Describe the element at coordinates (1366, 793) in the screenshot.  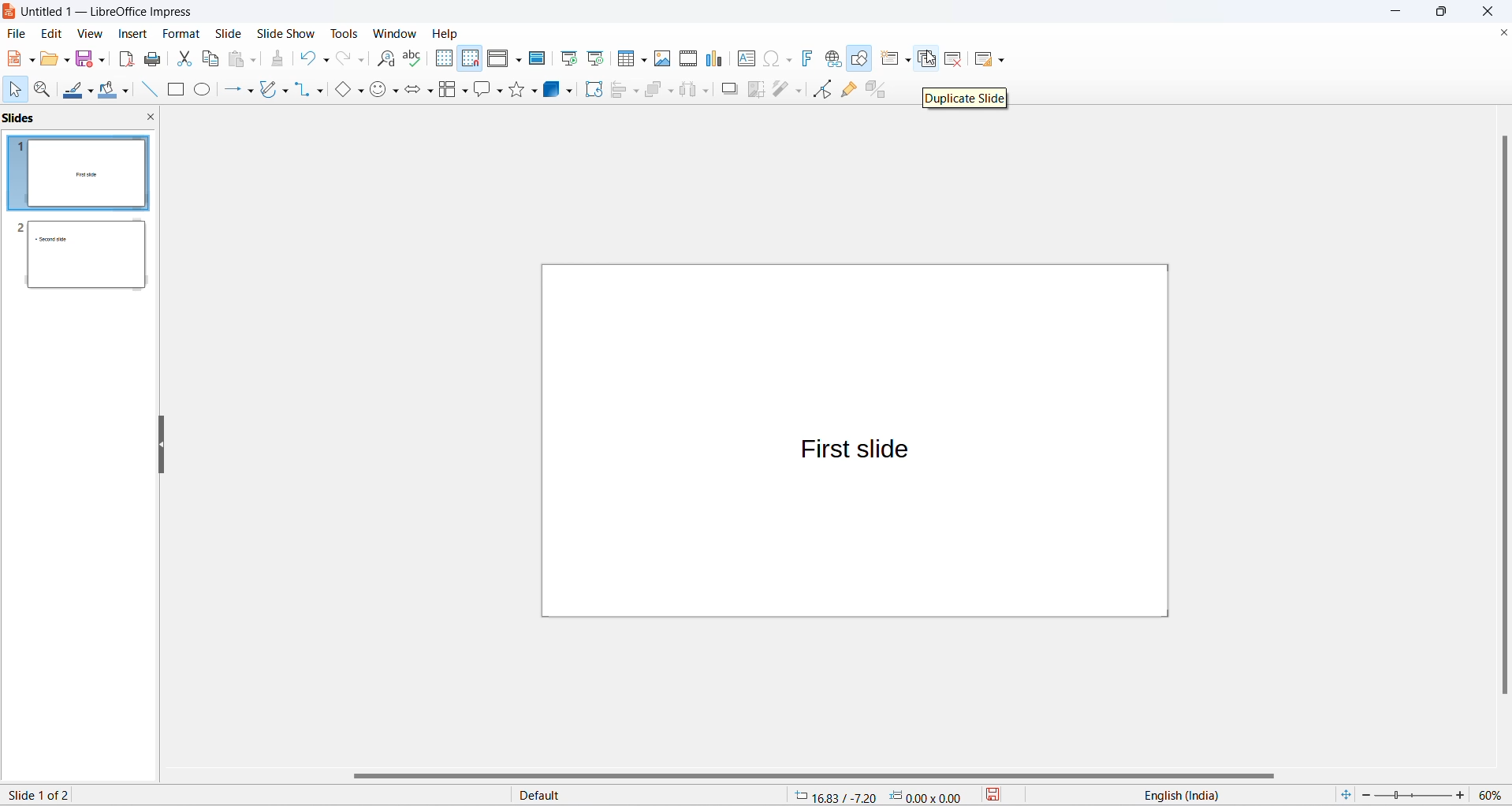
I see `decrease zoom` at that location.